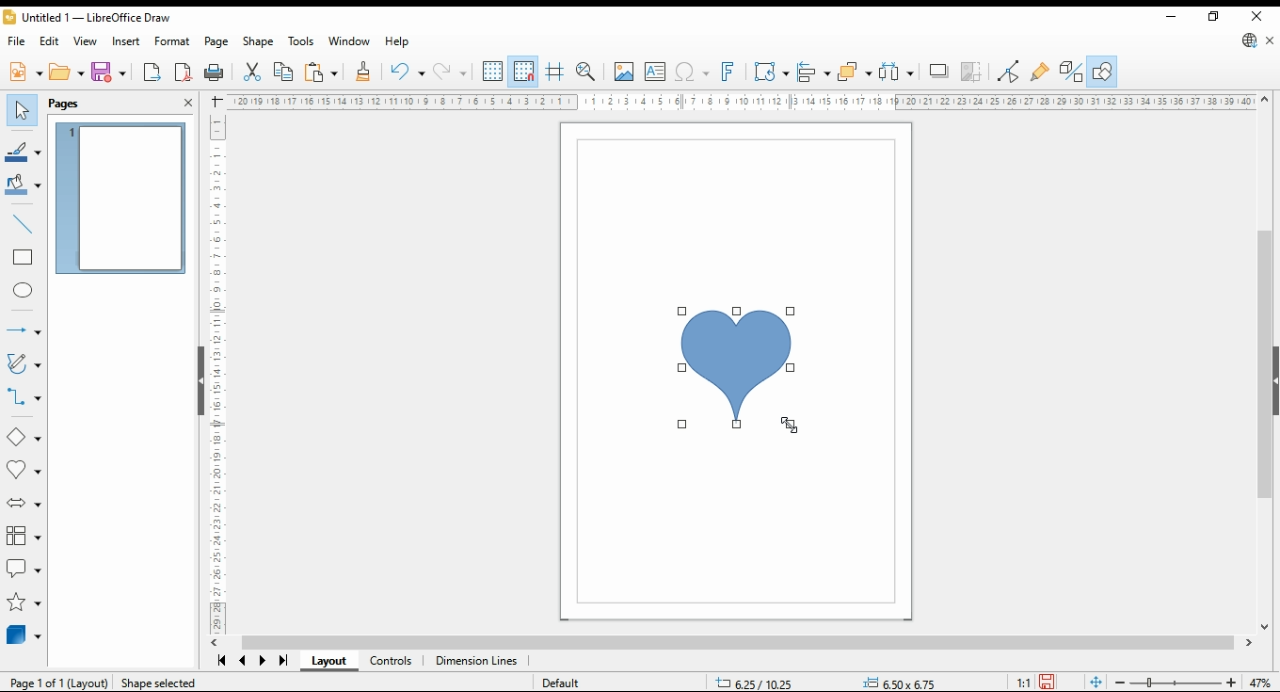 The height and width of the screenshot is (692, 1280). Describe the element at coordinates (1266, 360) in the screenshot. I see `scroll bar` at that location.